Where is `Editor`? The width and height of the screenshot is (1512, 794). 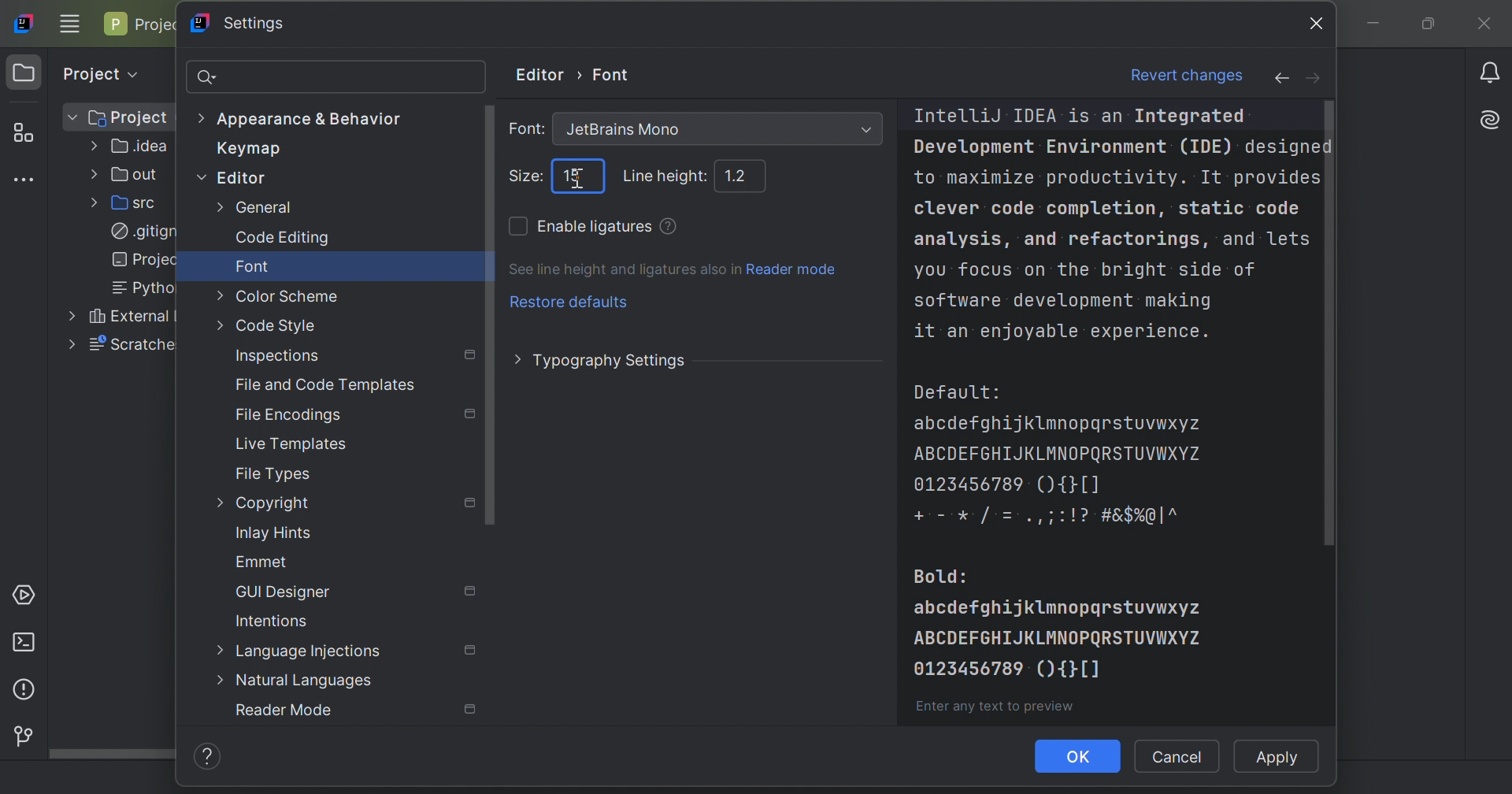 Editor is located at coordinates (537, 74).